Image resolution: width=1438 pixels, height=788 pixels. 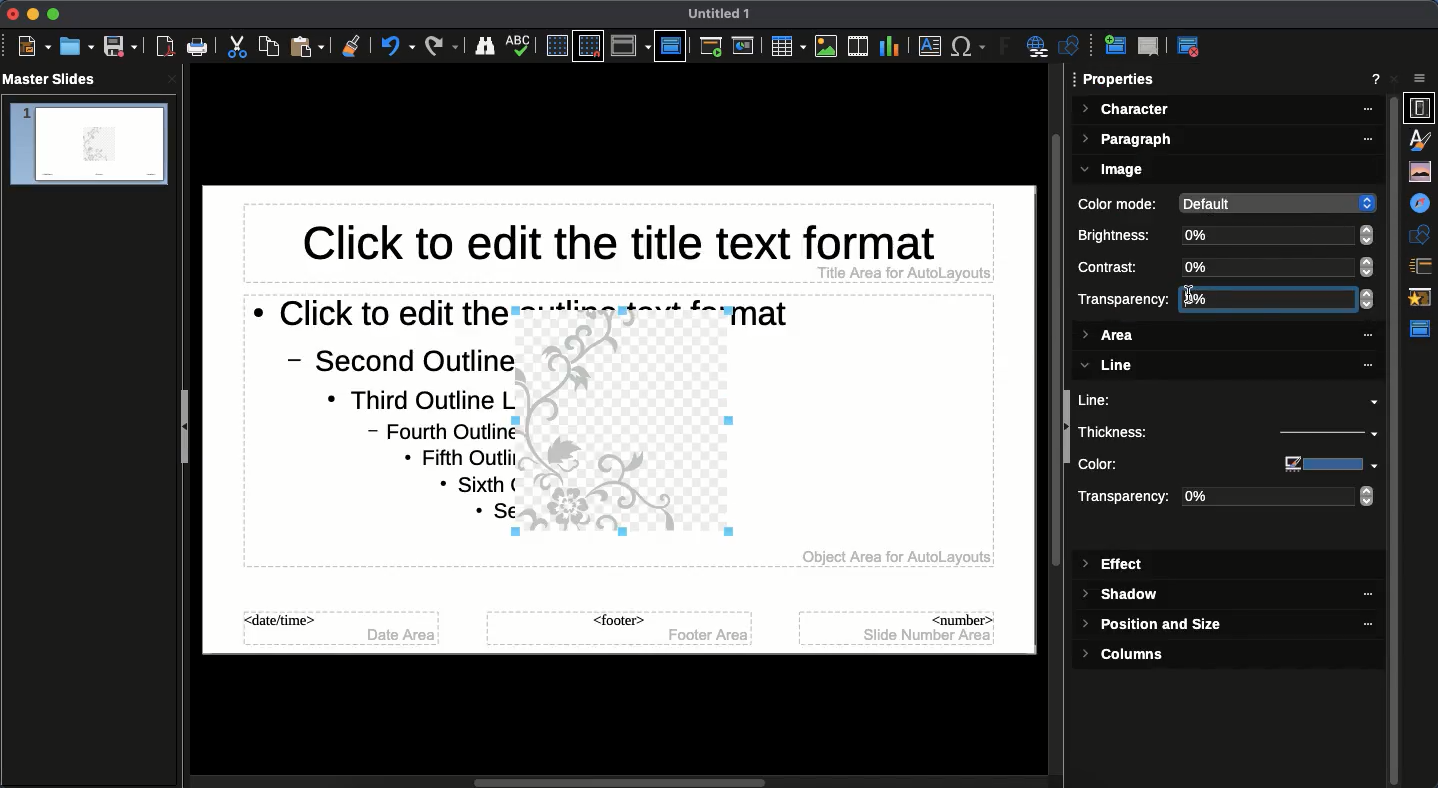 I want to click on New master, so click(x=1113, y=47).